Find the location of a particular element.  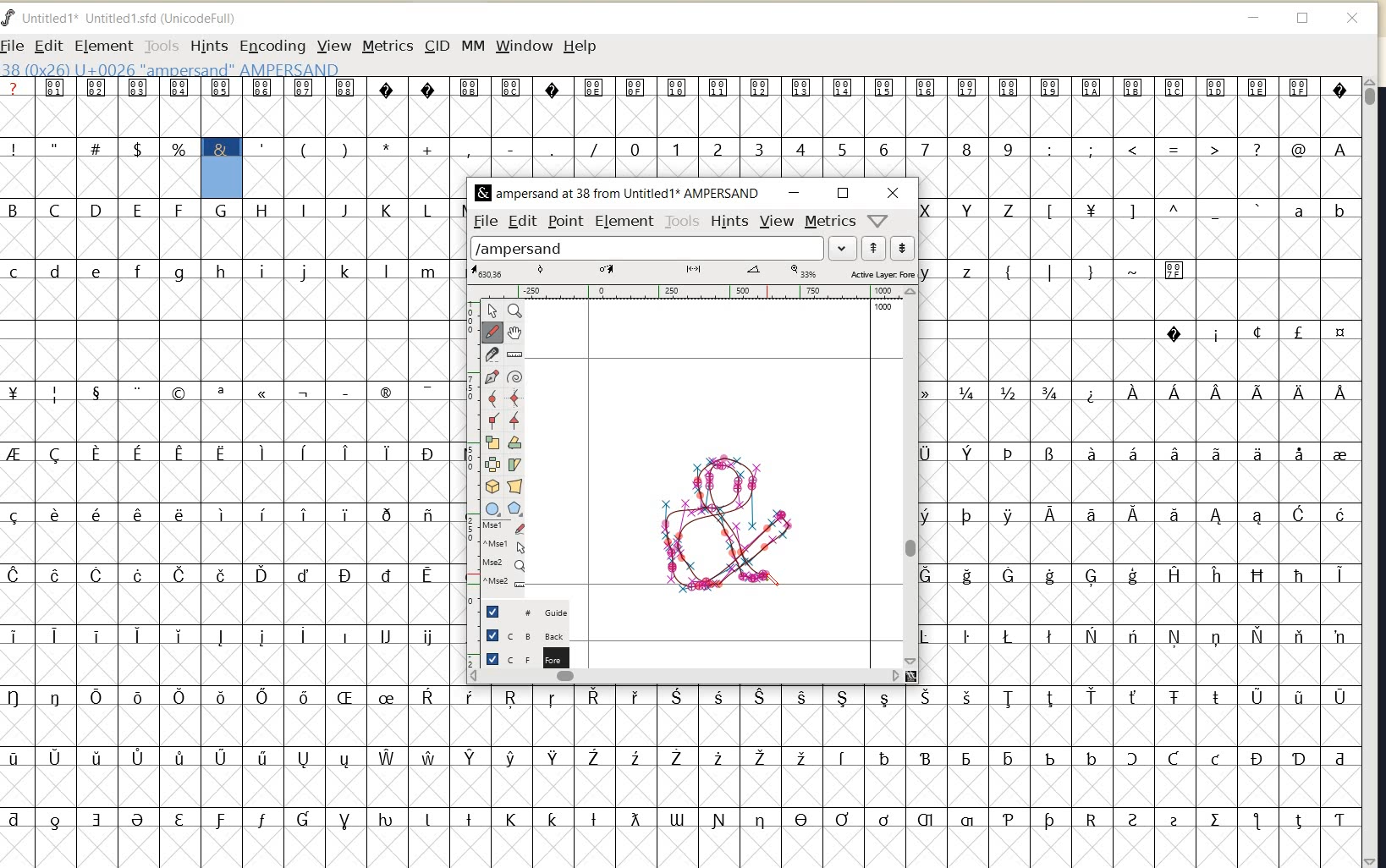

restore is located at coordinates (1302, 19).